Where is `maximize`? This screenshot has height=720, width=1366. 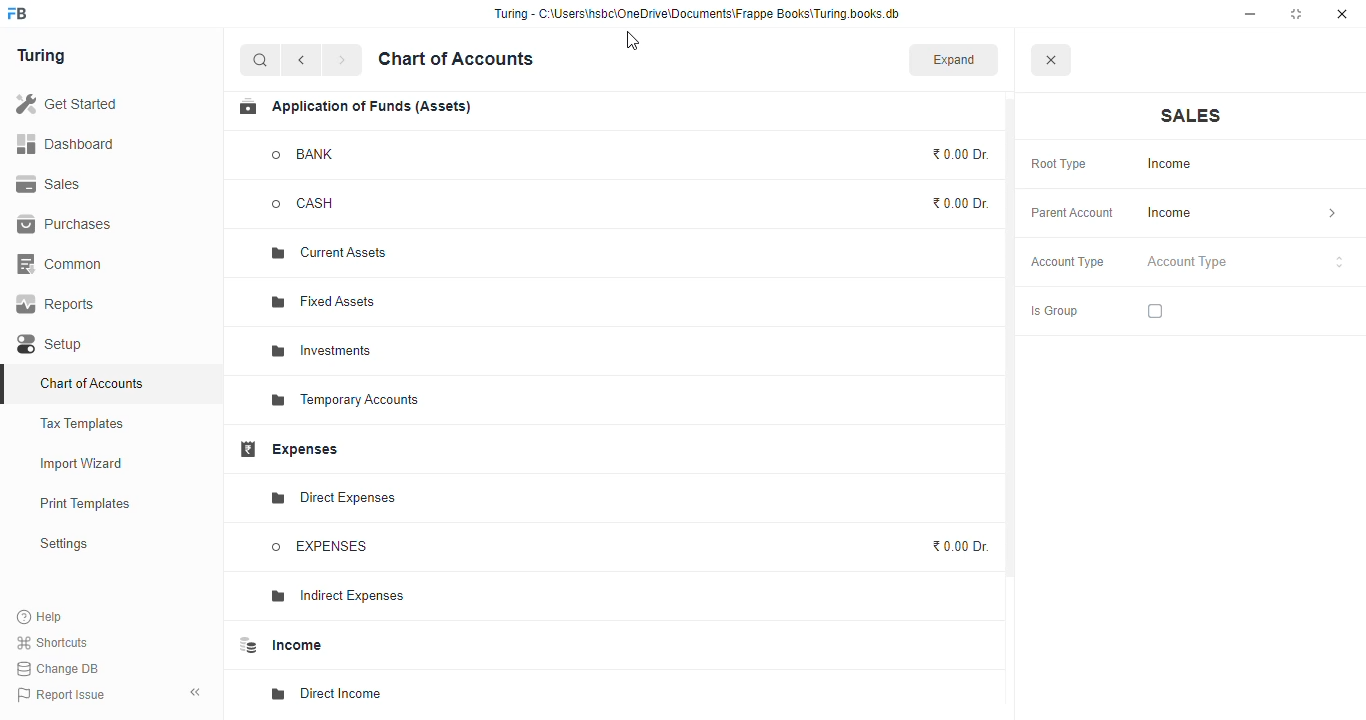 maximize is located at coordinates (1296, 14).